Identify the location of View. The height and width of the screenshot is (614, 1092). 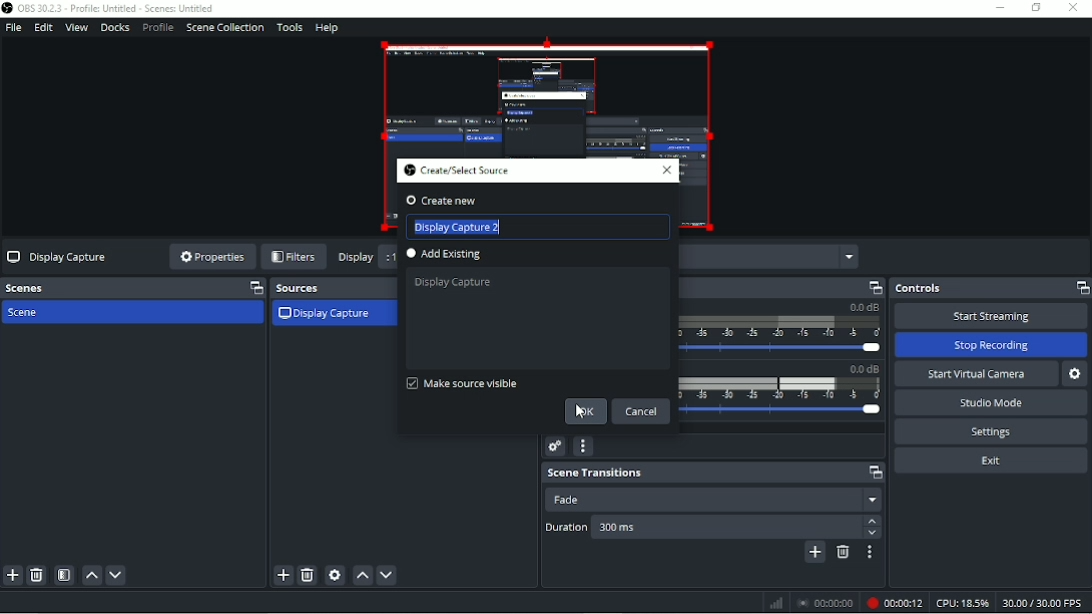
(76, 28).